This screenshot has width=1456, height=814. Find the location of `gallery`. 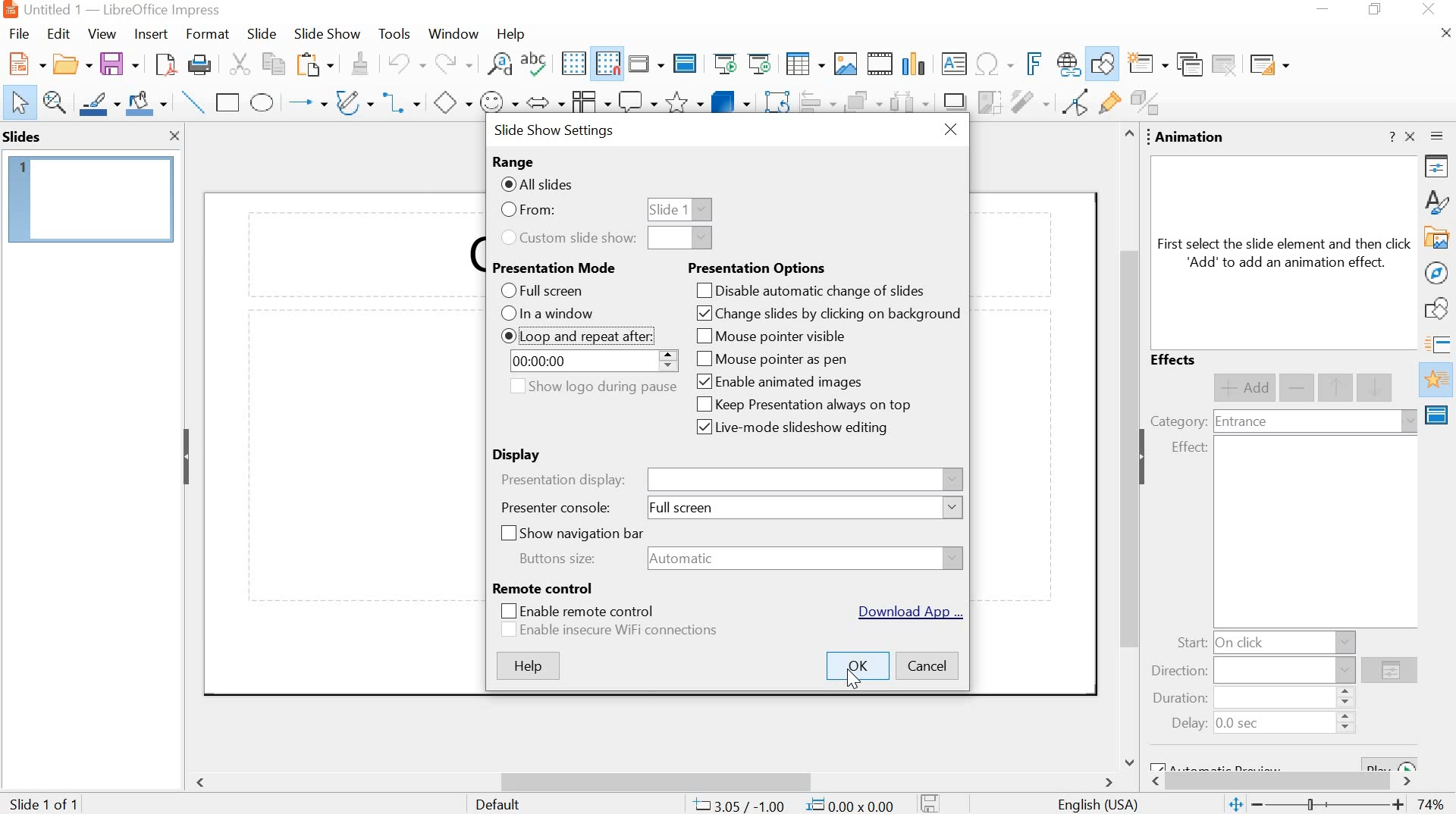

gallery is located at coordinates (1438, 239).